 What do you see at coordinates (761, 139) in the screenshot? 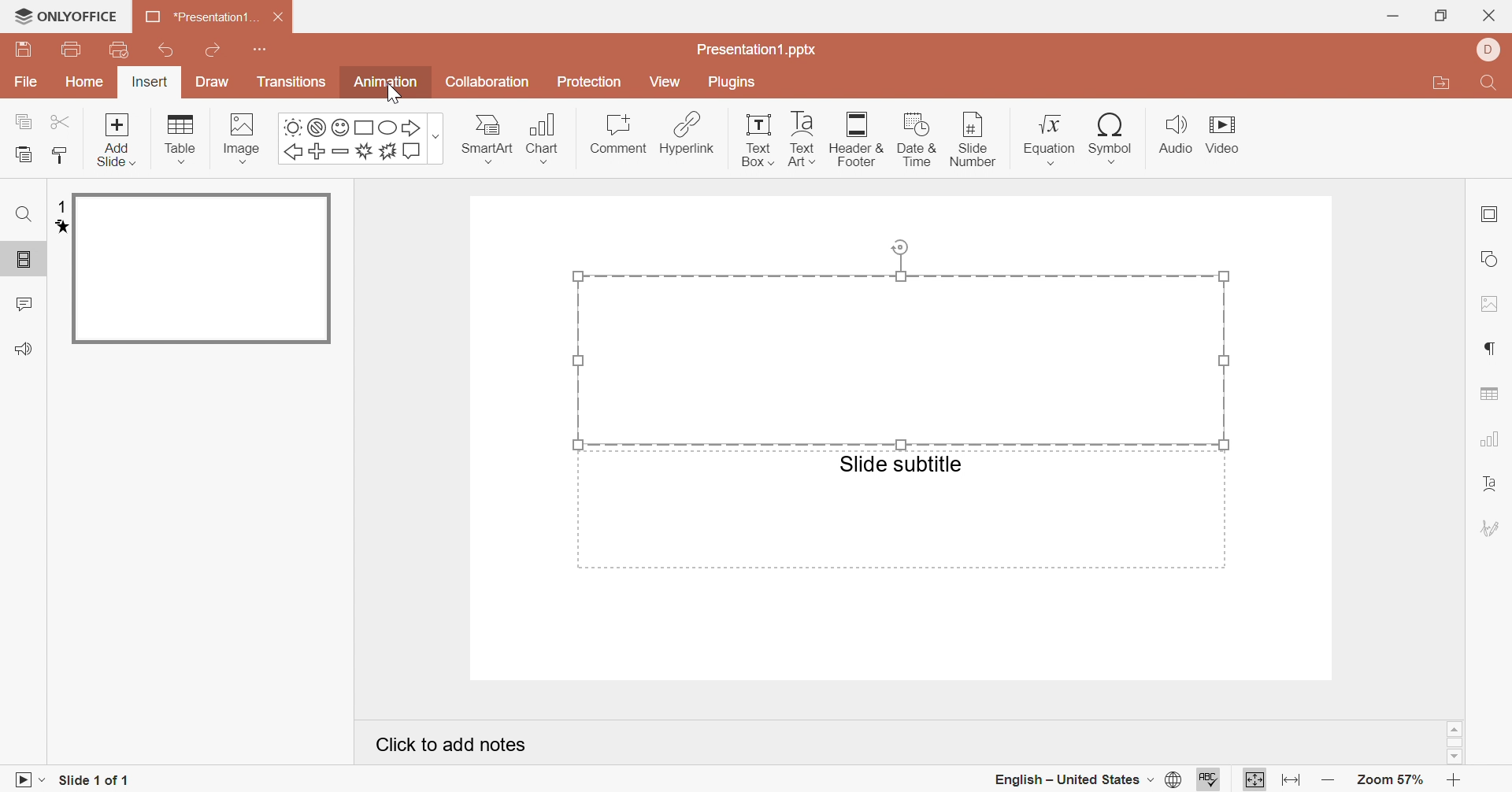
I see `text box` at bounding box center [761, 139].